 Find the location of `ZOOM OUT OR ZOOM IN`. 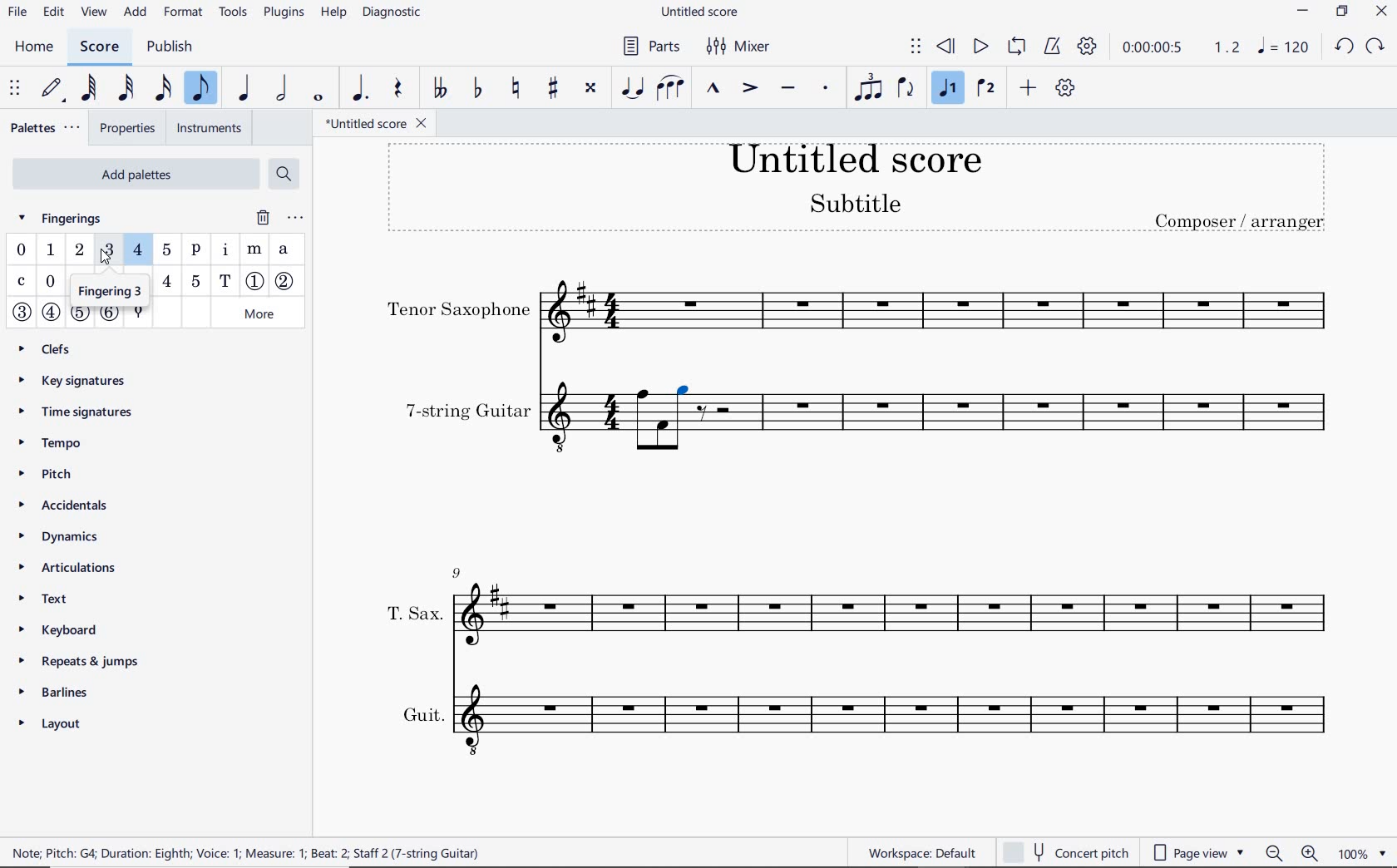

ZOOM OUT OR ZOOM IN is located at coordinates (1291, 854).